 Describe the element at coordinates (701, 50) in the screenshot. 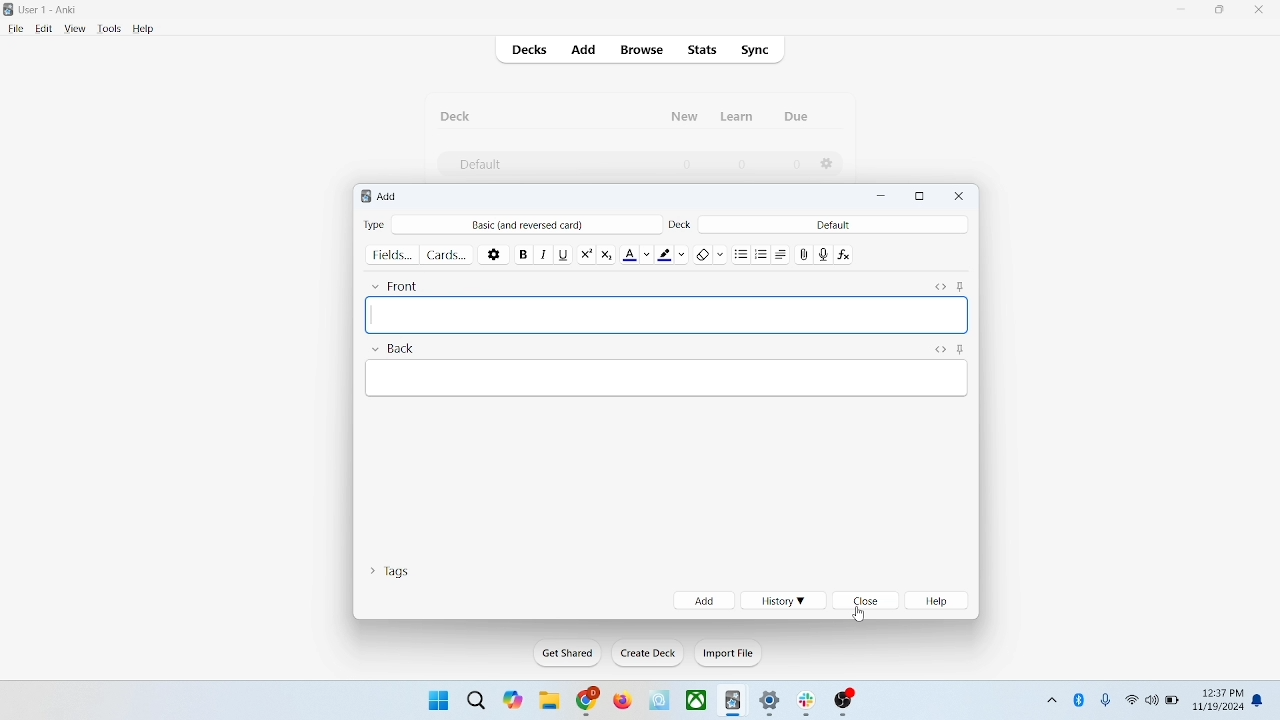

I see `stats` at that location.